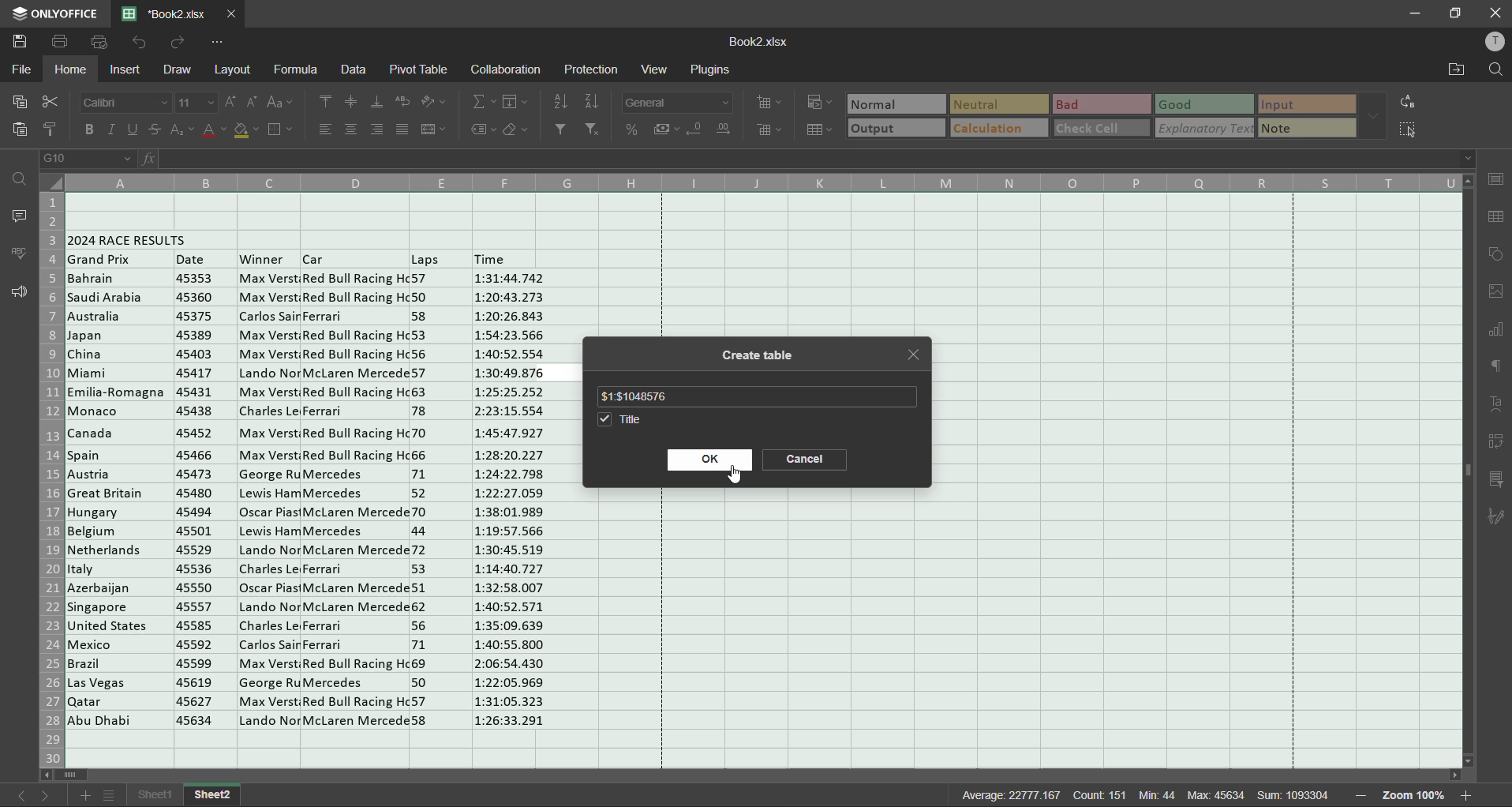  What do you see at coordinates (89, 796) in the screenshot?
I see `add sheet` at bounding box center [89, 796].